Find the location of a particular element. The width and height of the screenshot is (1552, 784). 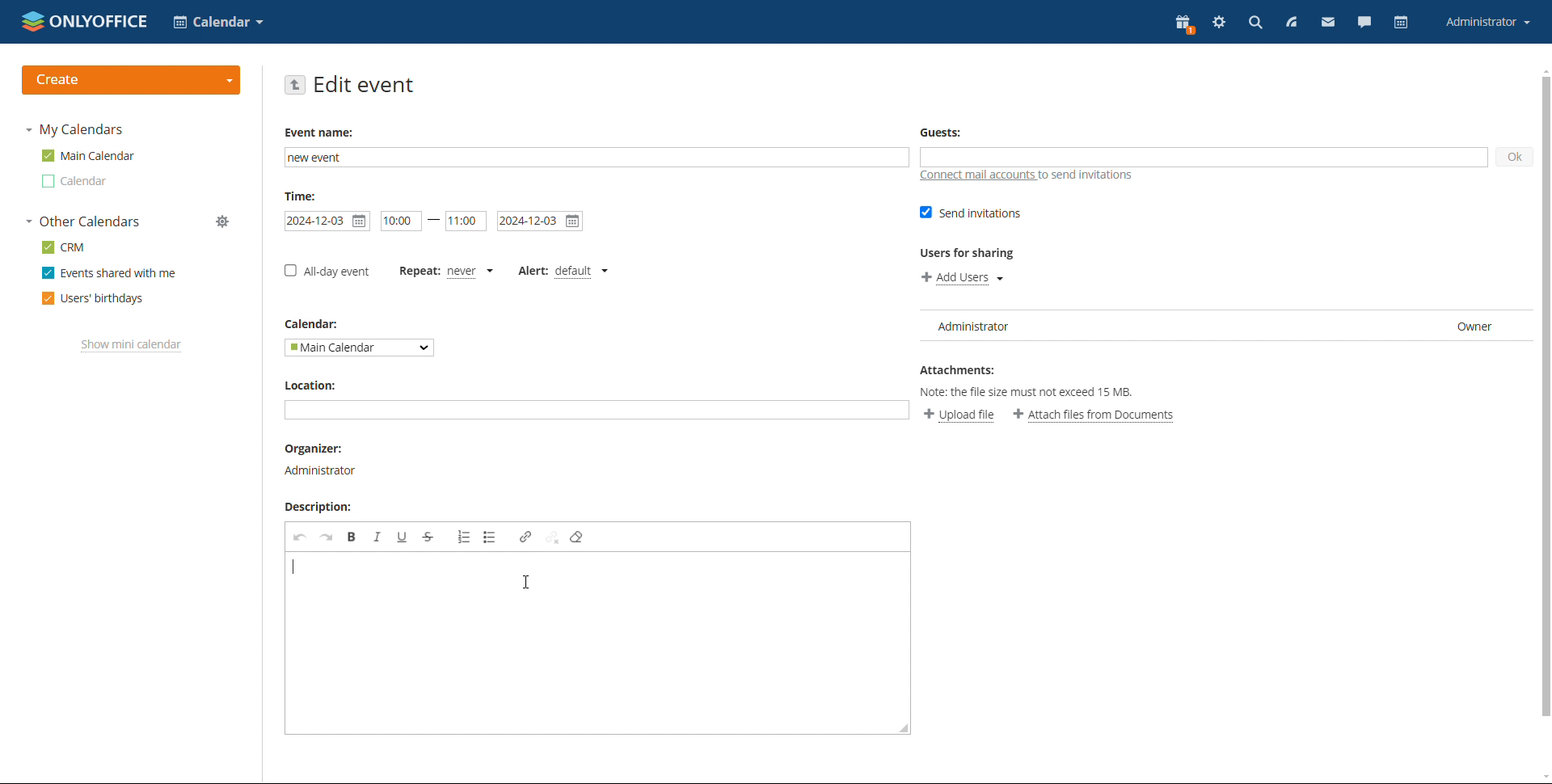

users' birthdays is located at coordinates (93, 299).